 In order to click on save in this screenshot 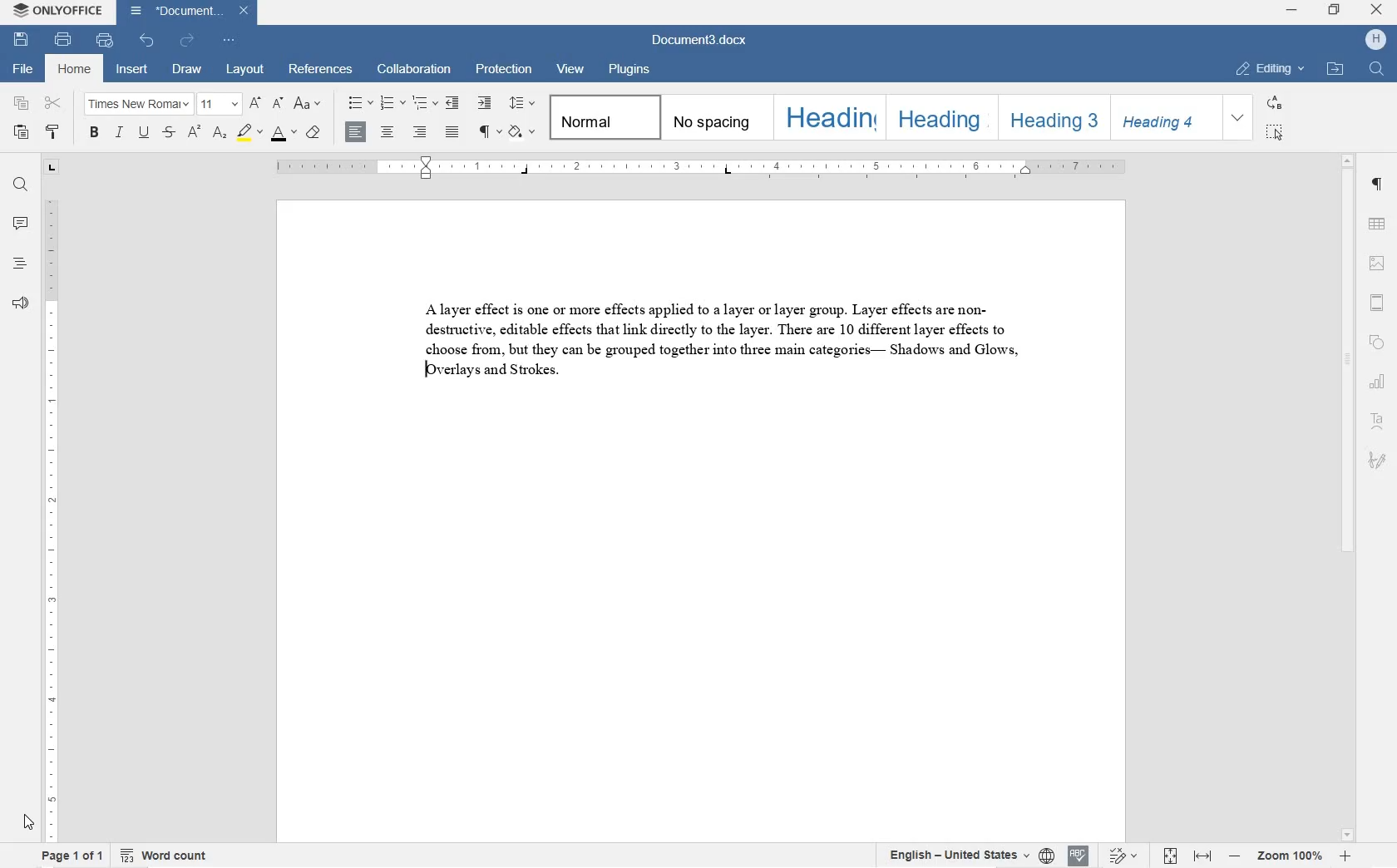, I will do `click(19, 40)`.